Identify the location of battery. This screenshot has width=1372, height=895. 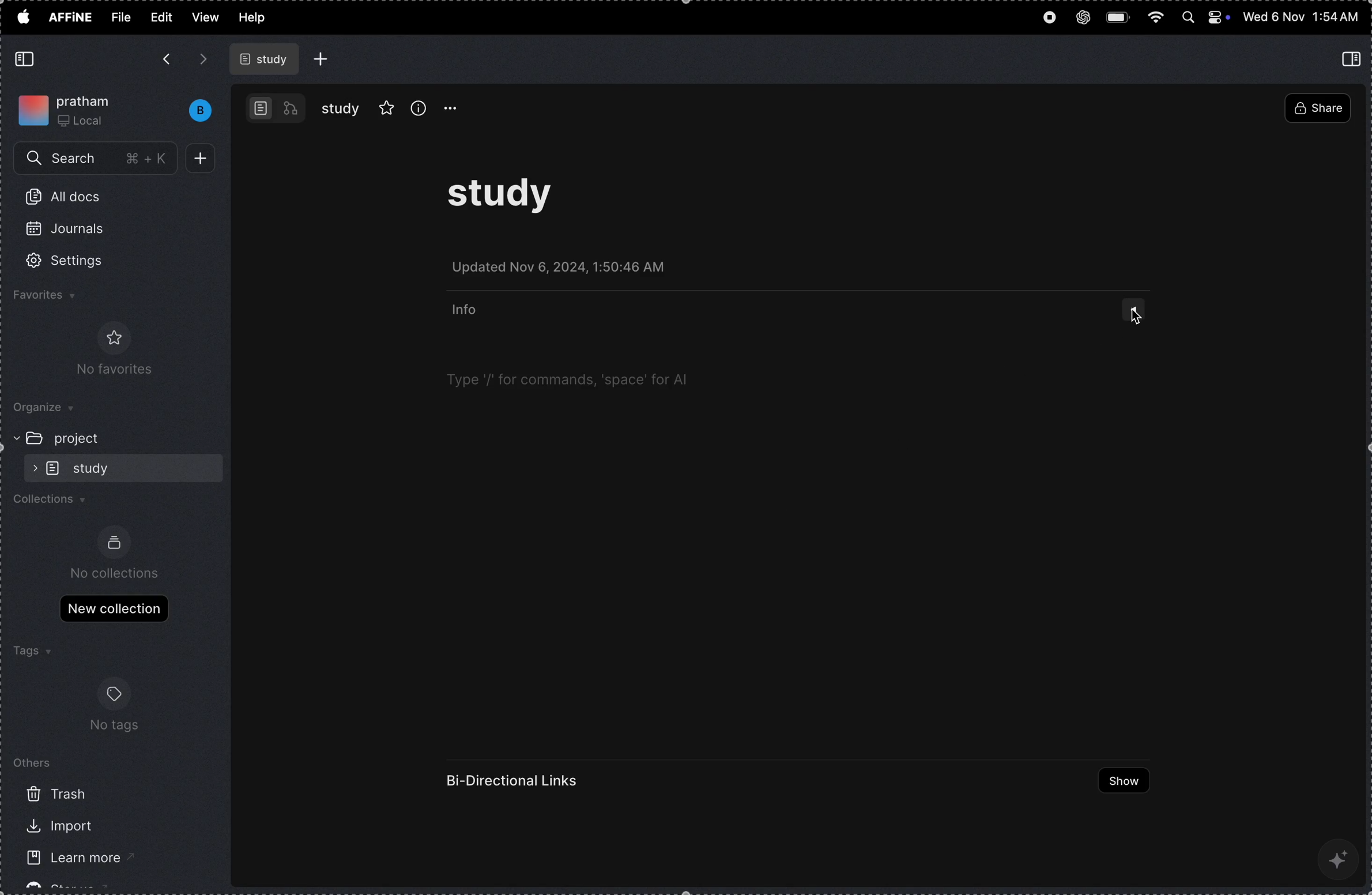
(1120, 16).